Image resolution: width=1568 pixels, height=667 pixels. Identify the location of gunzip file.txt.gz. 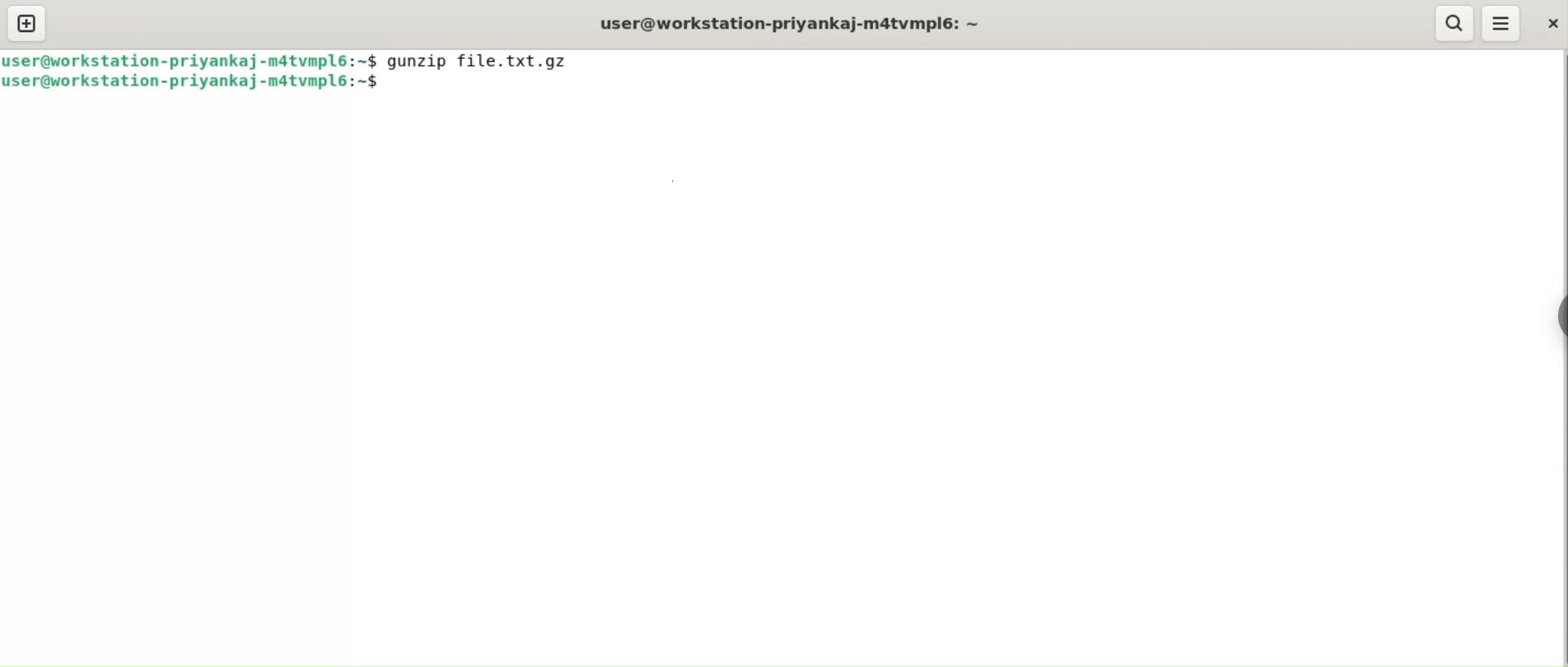
(487, 64).